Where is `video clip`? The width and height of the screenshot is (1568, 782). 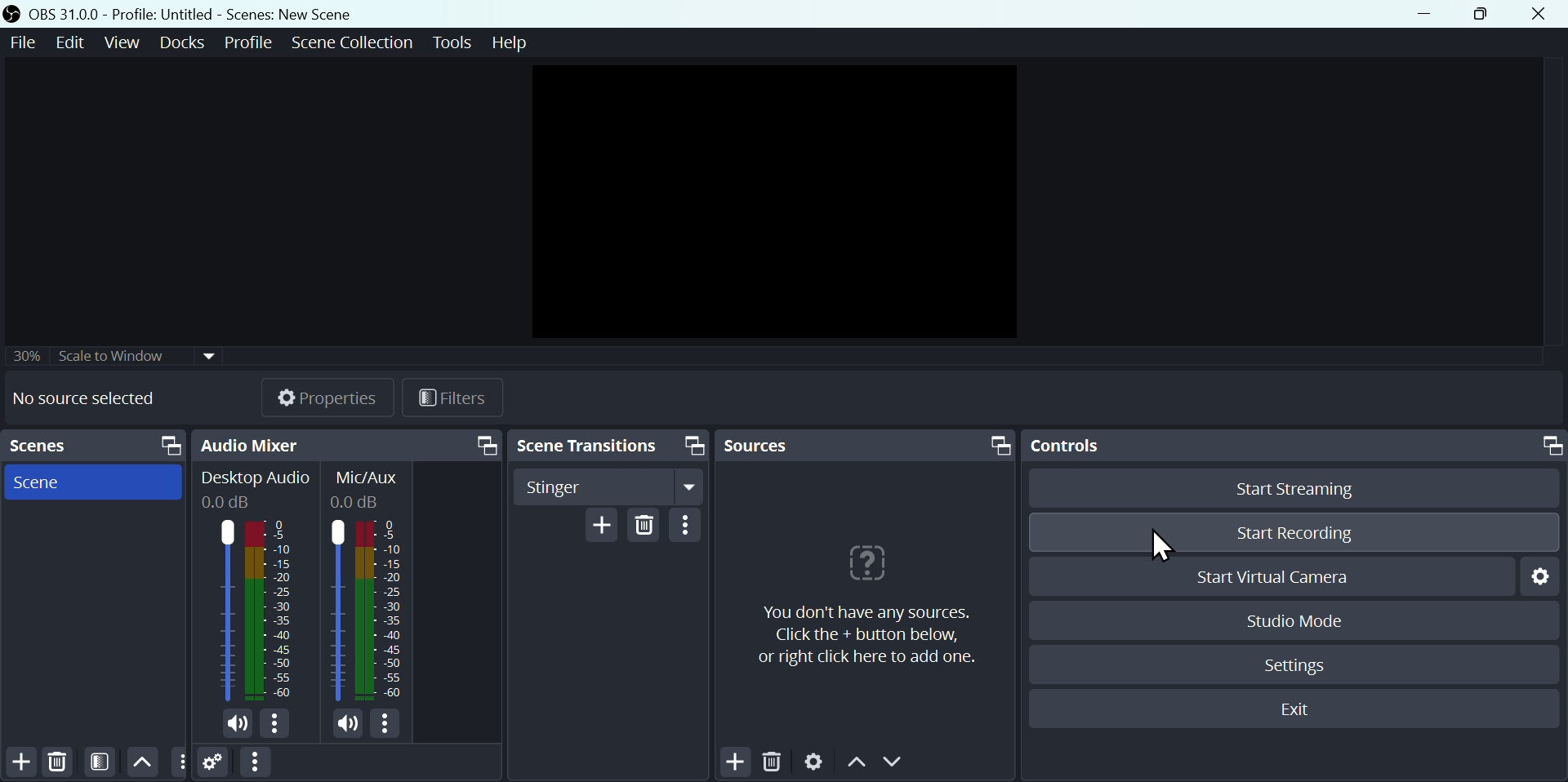 video clip is located at coordinates (779, 198).